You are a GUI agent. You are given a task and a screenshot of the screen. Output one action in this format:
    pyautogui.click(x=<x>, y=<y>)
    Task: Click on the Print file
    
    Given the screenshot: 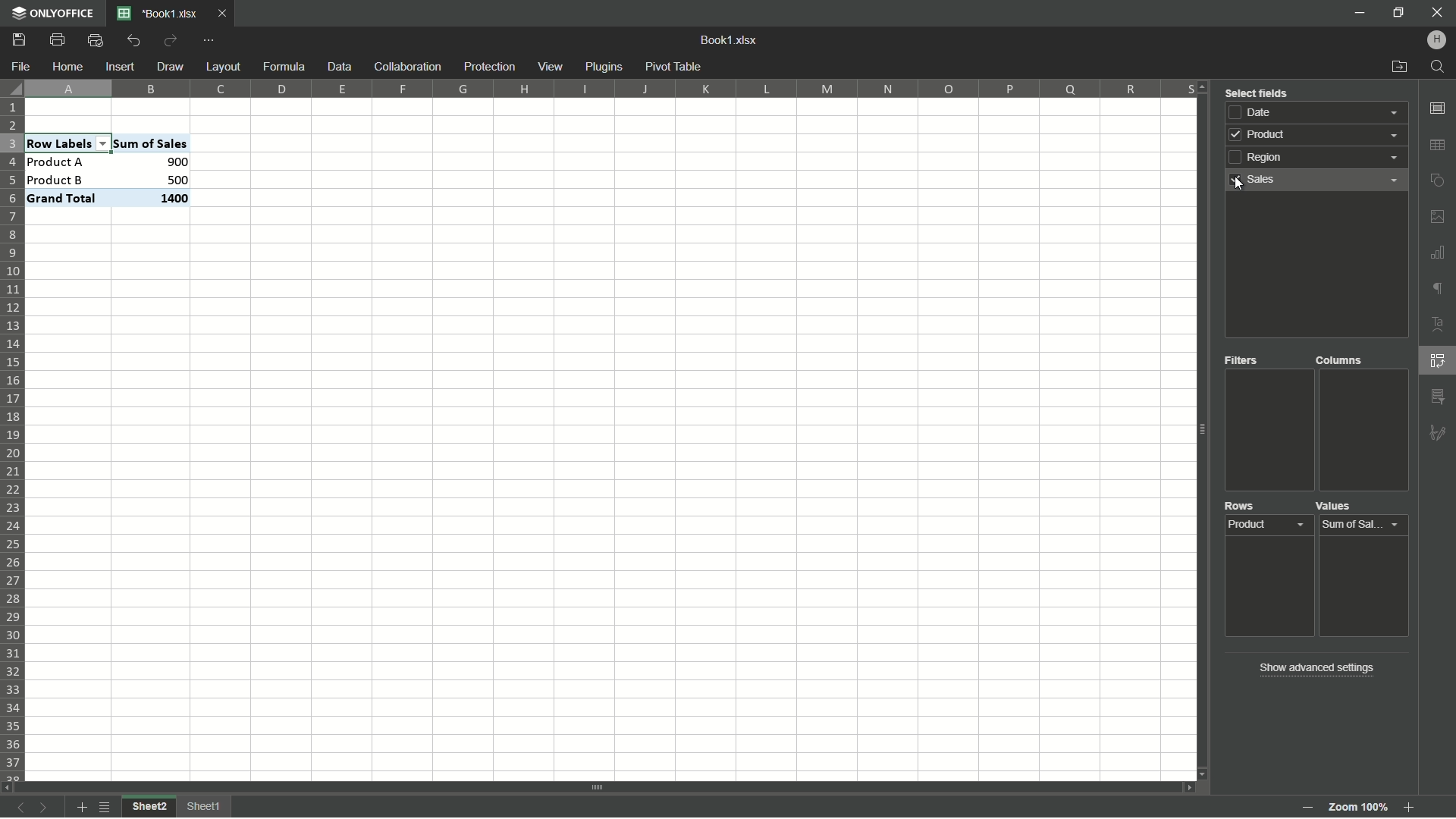 What is the action you would take?
    pyautogui.click(x=57, y=42)
    